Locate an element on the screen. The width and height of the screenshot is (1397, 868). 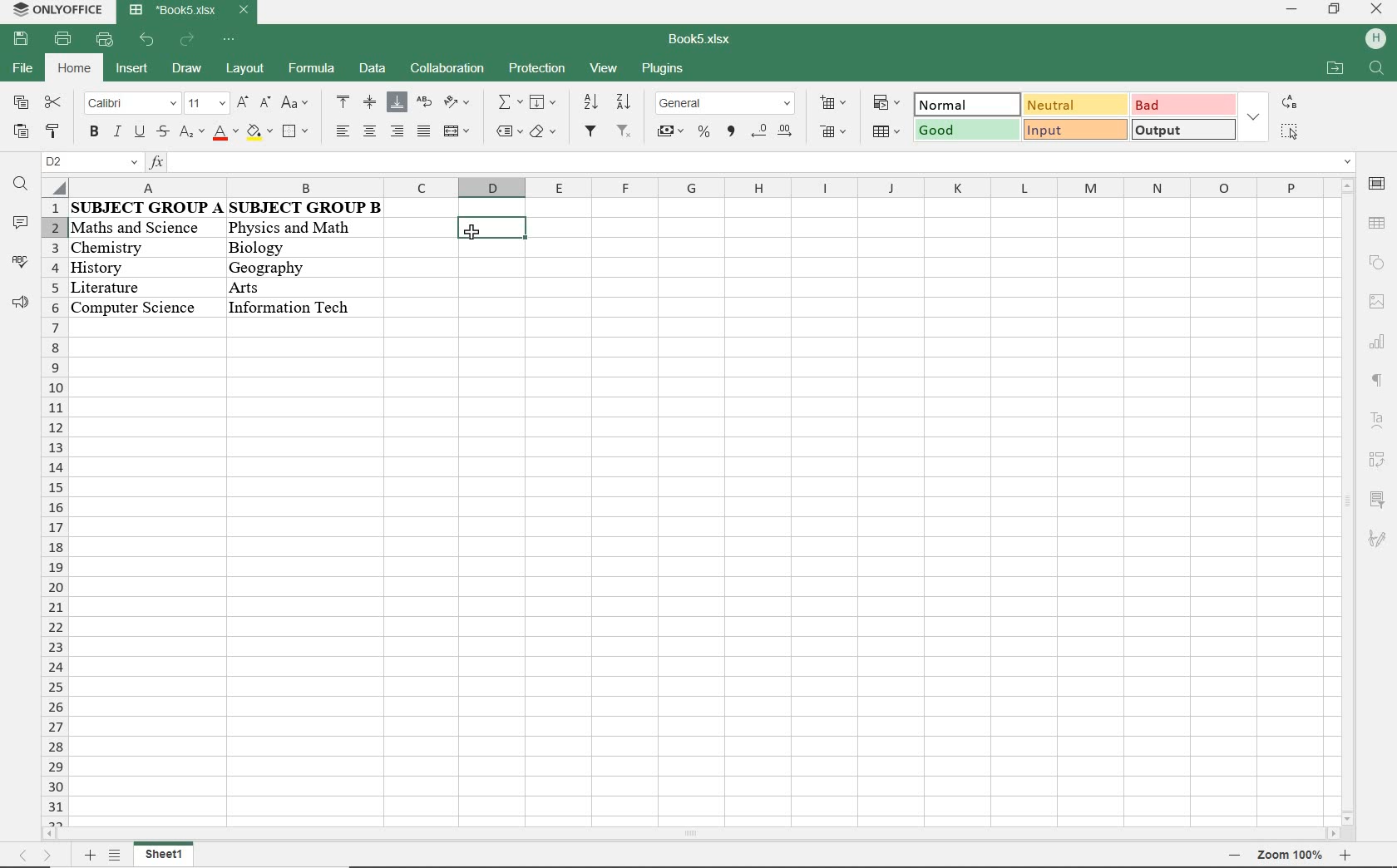
signature is located at coordinates (1376, 539).